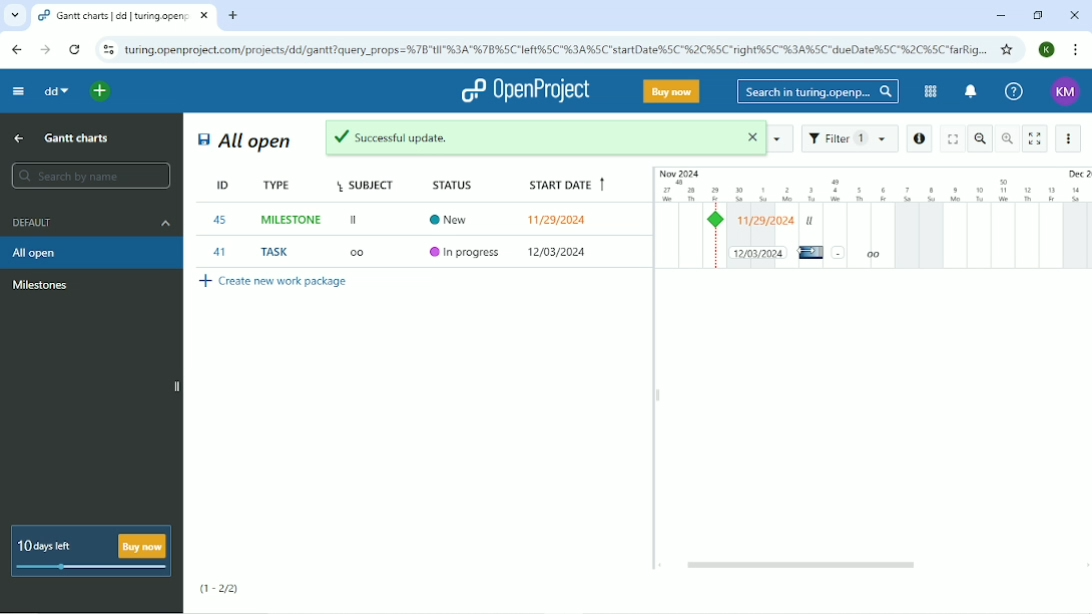 The image size is (1092, 614). What do you see at coordinates (221, 220) in the screenshot?
I see `45` at bounding box center [221, 220].